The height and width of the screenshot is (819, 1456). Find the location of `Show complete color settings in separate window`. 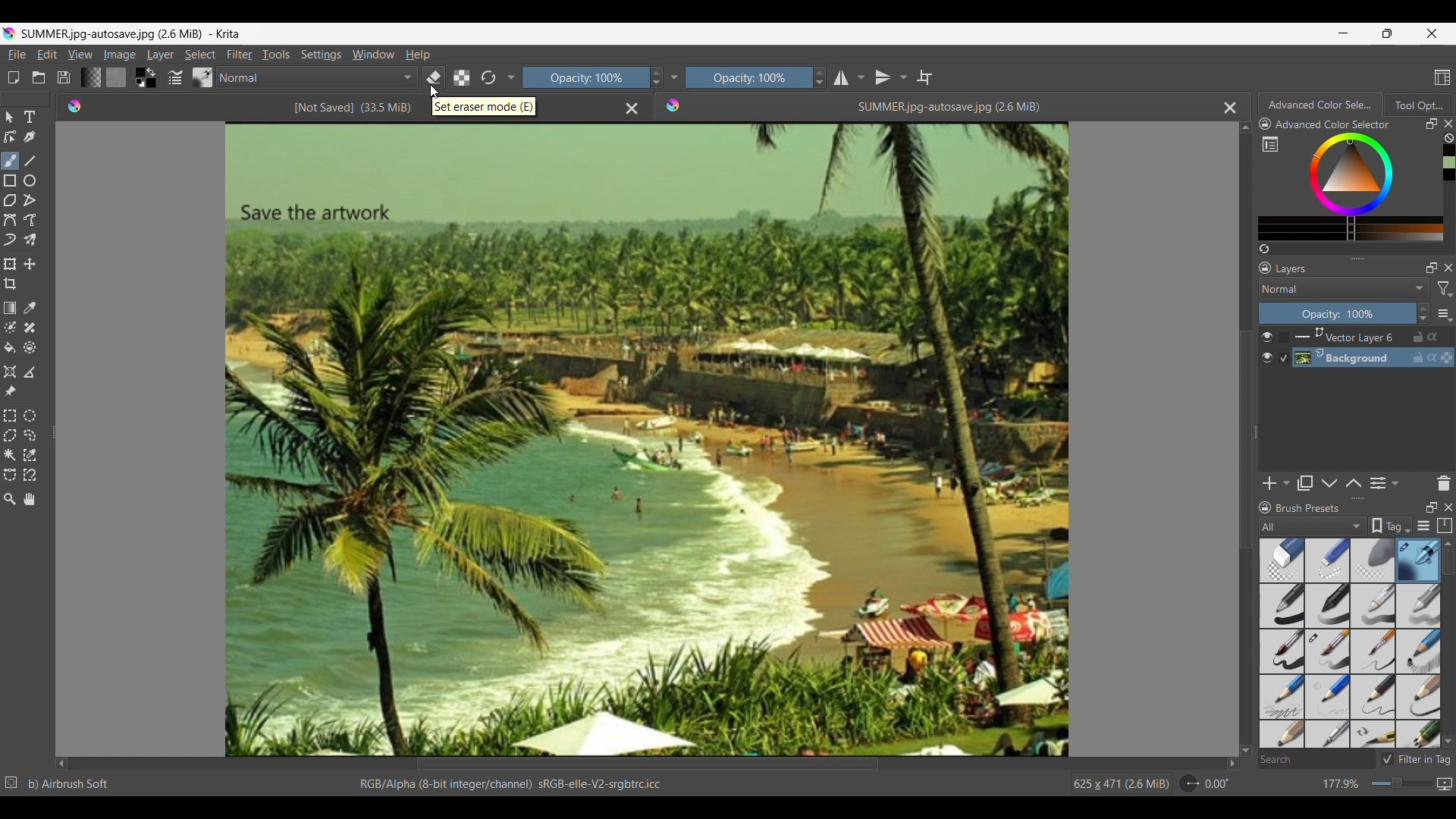

Show complete color settings in separate window is located at coordinates (1270, 143).